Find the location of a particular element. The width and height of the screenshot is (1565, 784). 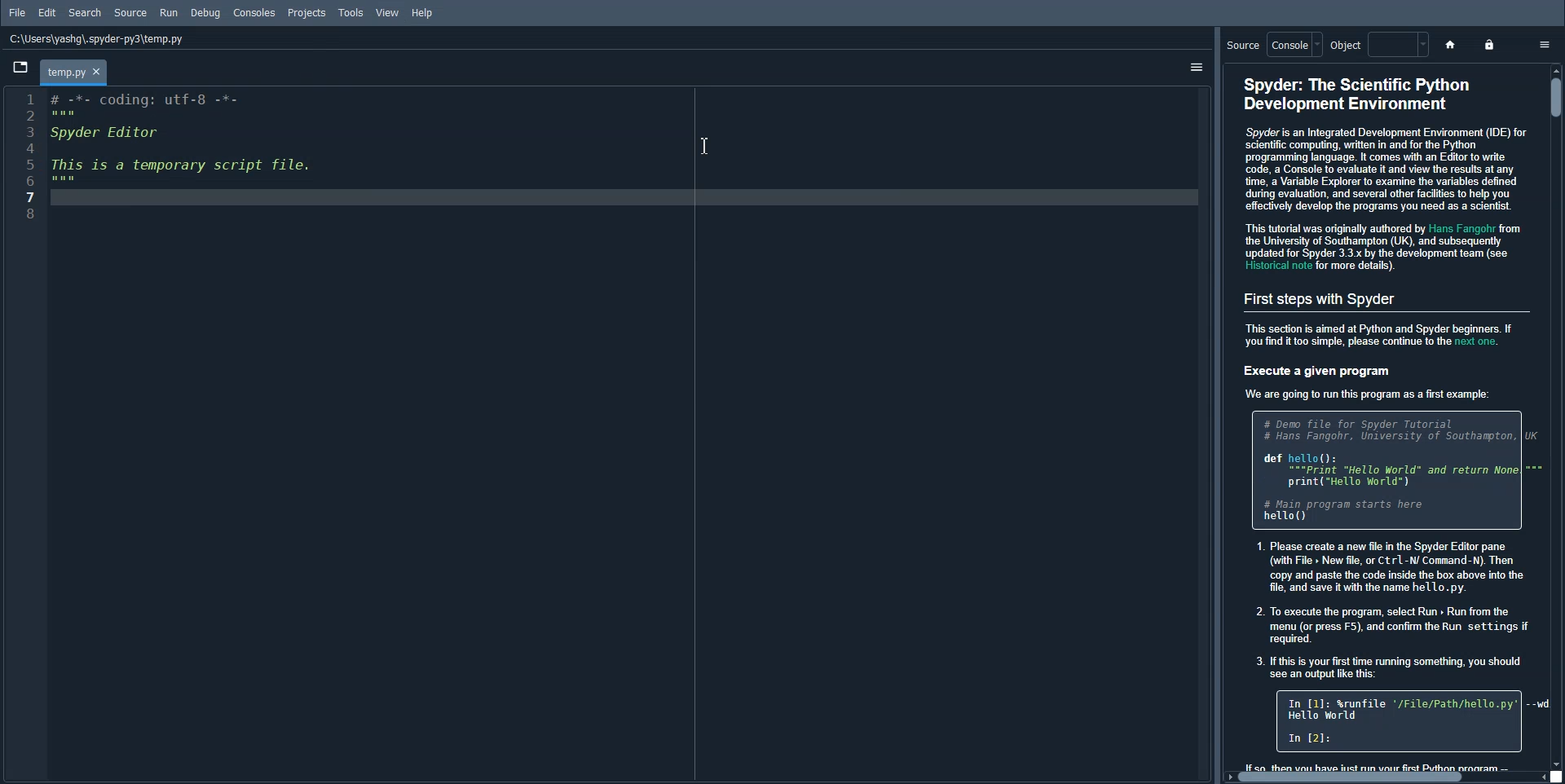

File is located at coordinates (18, 12).